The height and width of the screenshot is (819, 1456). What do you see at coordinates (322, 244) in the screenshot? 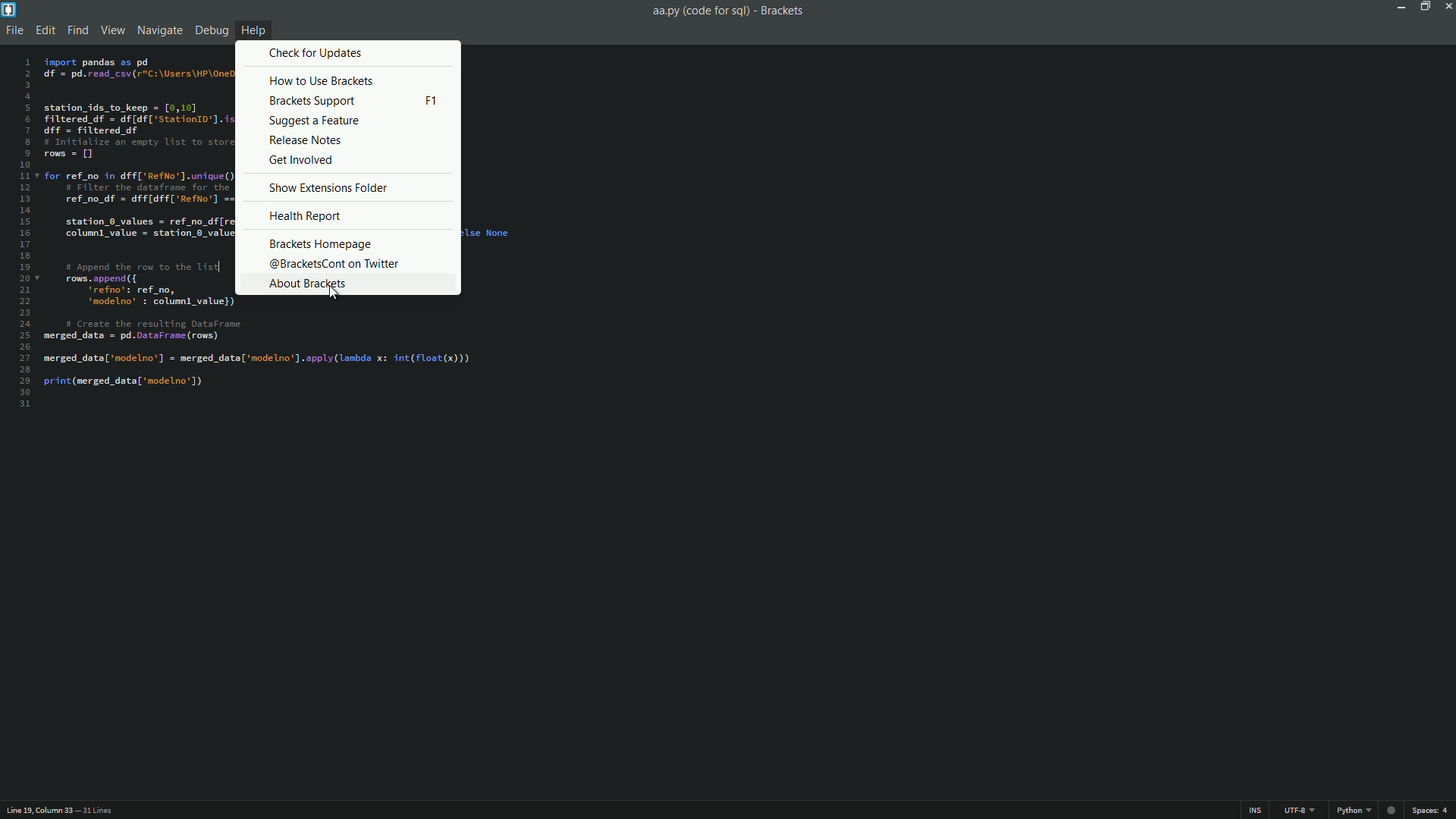
I see `brackets homepage` at bounding box center [322, 244].